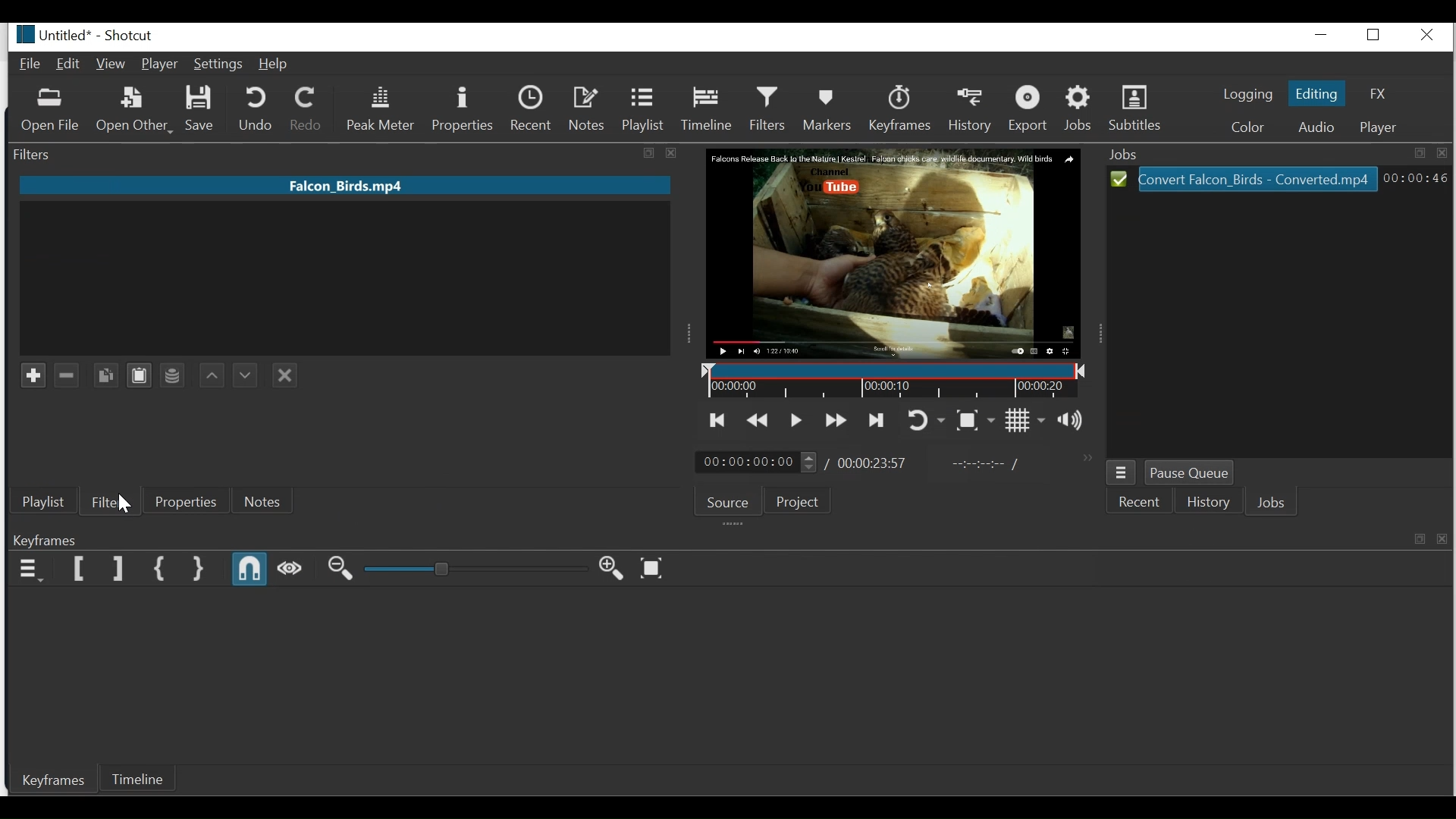  What do you see at coordinates (802, 501) in the screenshot?
I see `Project` at bounding box center [802, 501].